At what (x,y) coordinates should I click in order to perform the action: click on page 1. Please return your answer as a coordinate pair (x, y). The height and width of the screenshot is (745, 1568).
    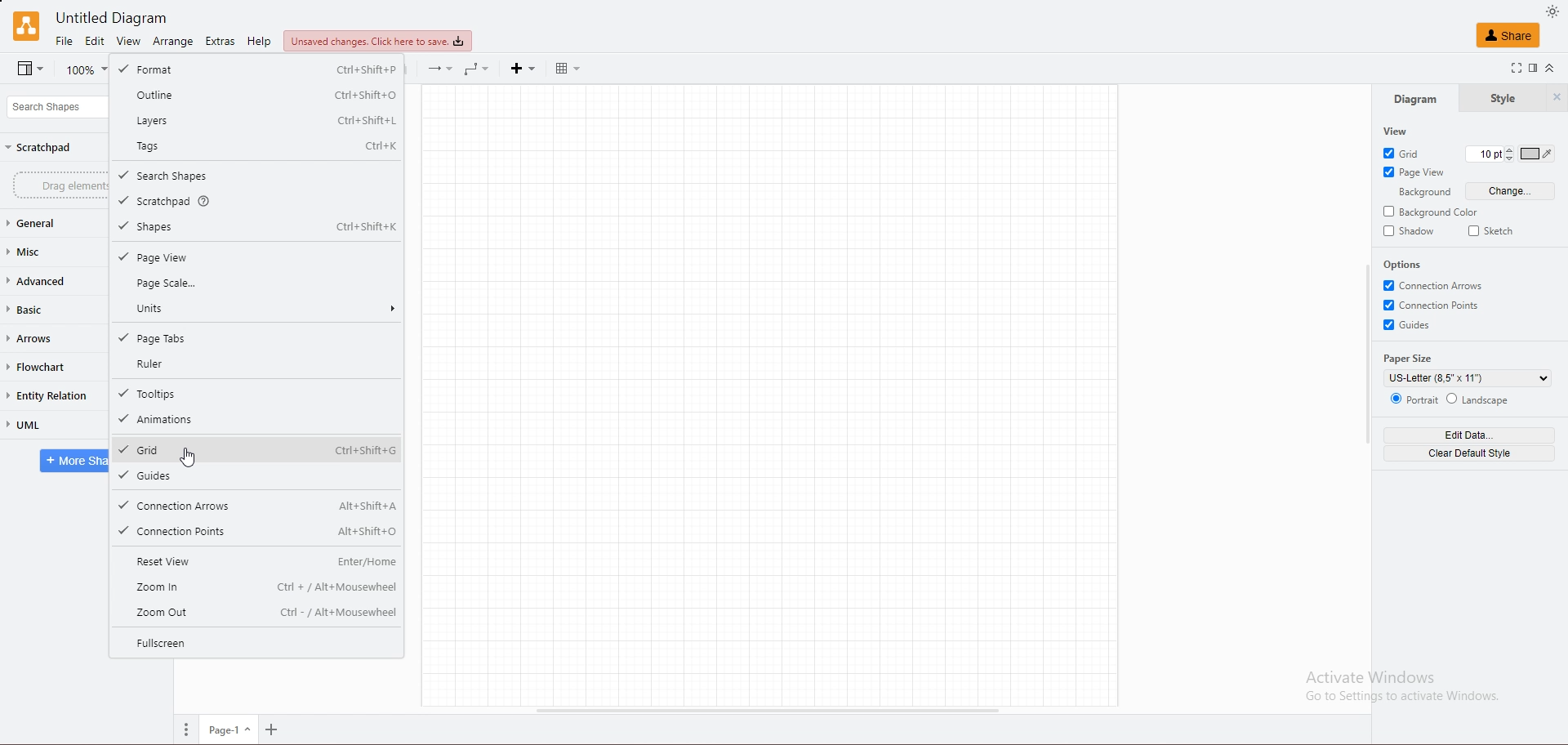
    Looking at the image, I should click on (228, 730).